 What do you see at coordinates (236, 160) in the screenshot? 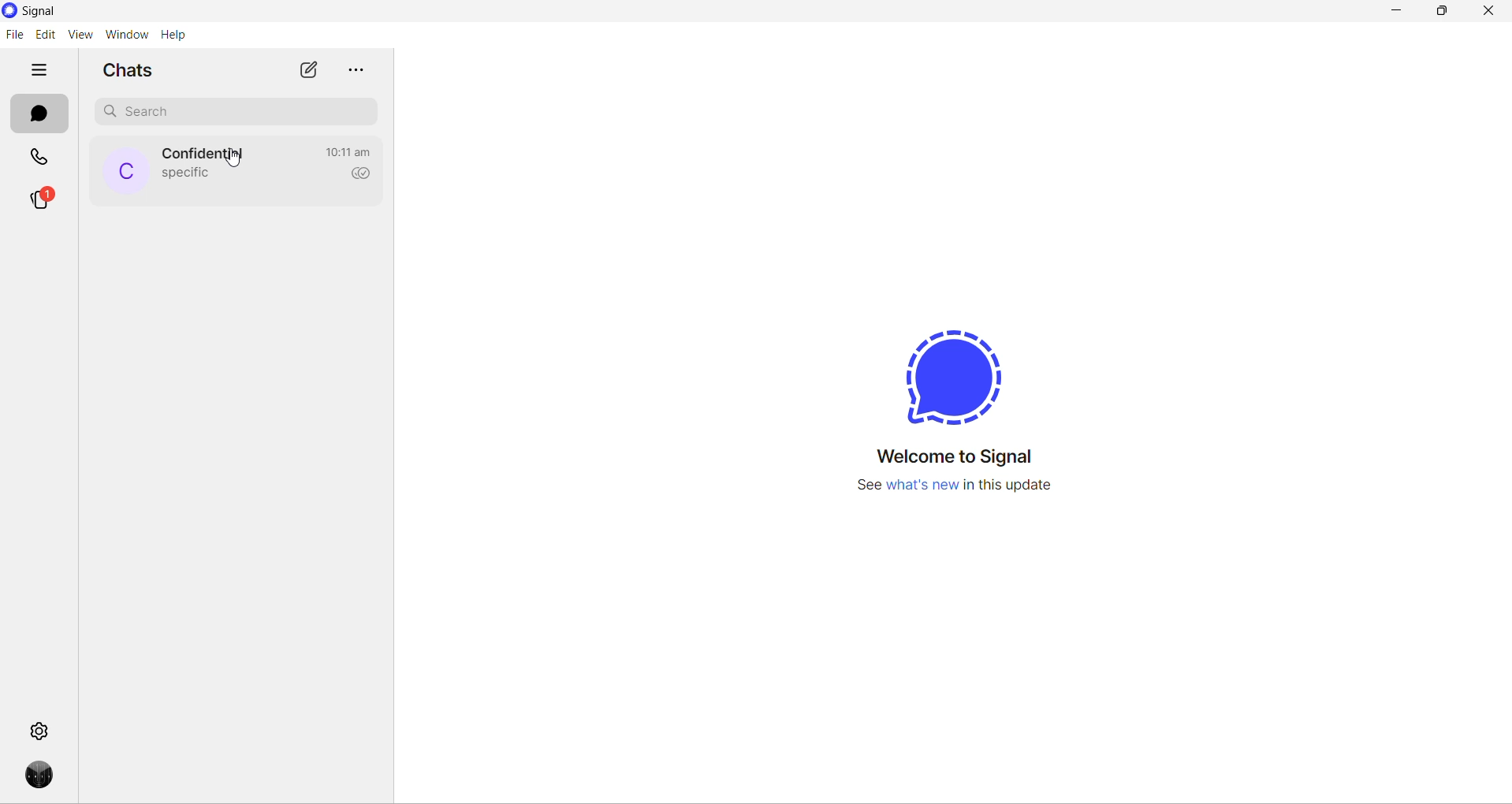
I see `cursor` at bounding box center [236, 160].